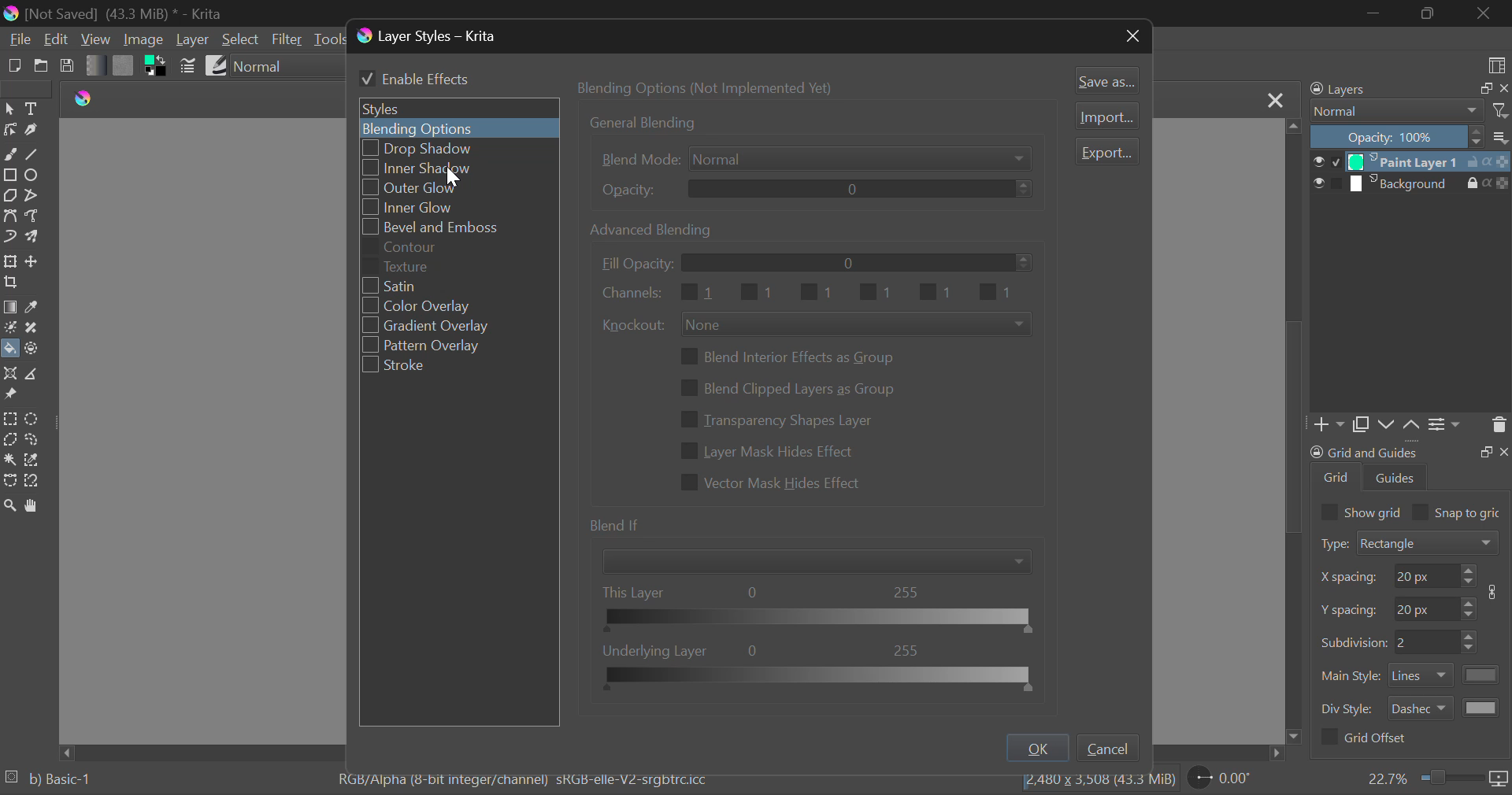 The width and height of the screenshot is (1512, 795). What do you see at coordinates (10, 374) in the screenshot?
I see `Assistant Tool` at bounding box center [10, 374].